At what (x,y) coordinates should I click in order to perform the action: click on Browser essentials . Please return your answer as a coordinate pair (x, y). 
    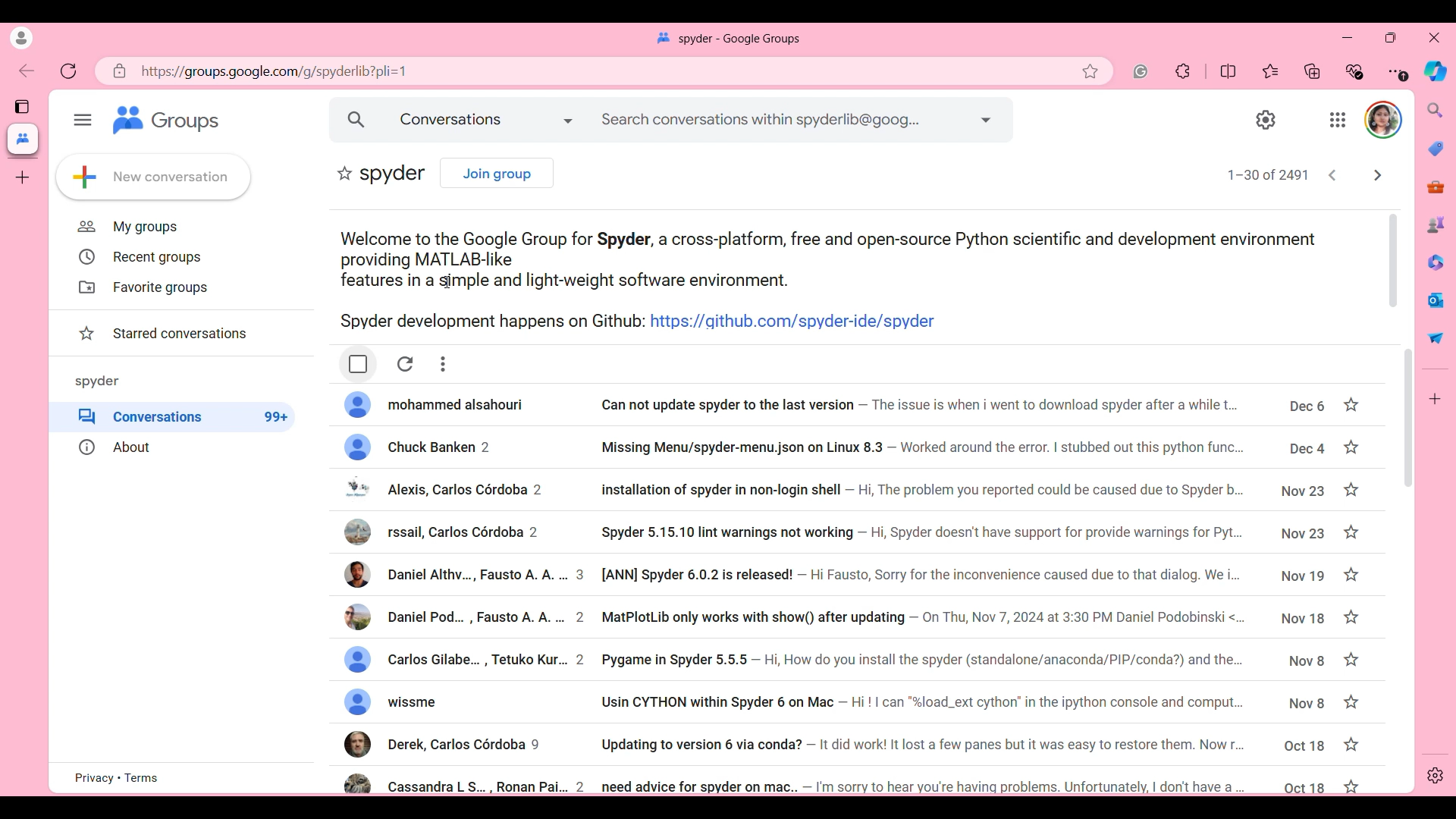
    Looking at the image, I should click on (1355, 72).